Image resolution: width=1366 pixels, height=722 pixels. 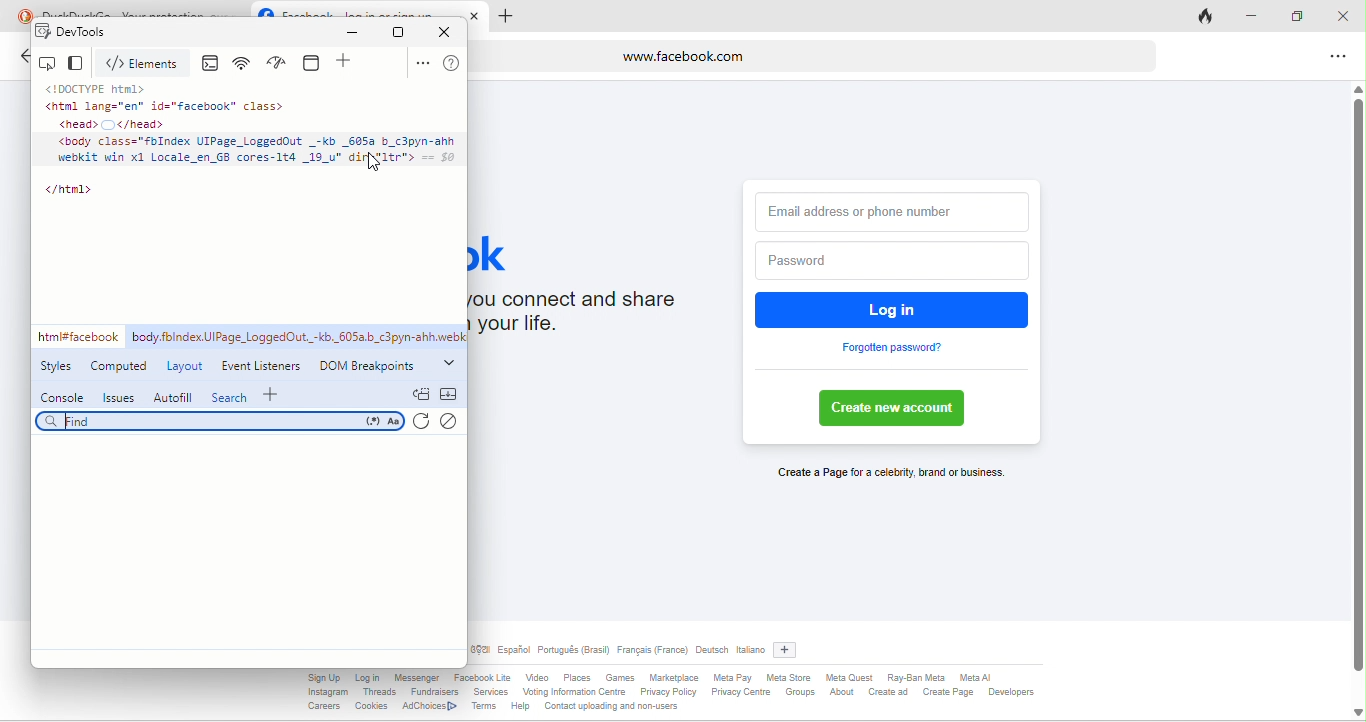 What do you see at coordinates (1357, 387) in the screenshot?
I see `vertical scroll bar` at bounding box center [1357, 387].